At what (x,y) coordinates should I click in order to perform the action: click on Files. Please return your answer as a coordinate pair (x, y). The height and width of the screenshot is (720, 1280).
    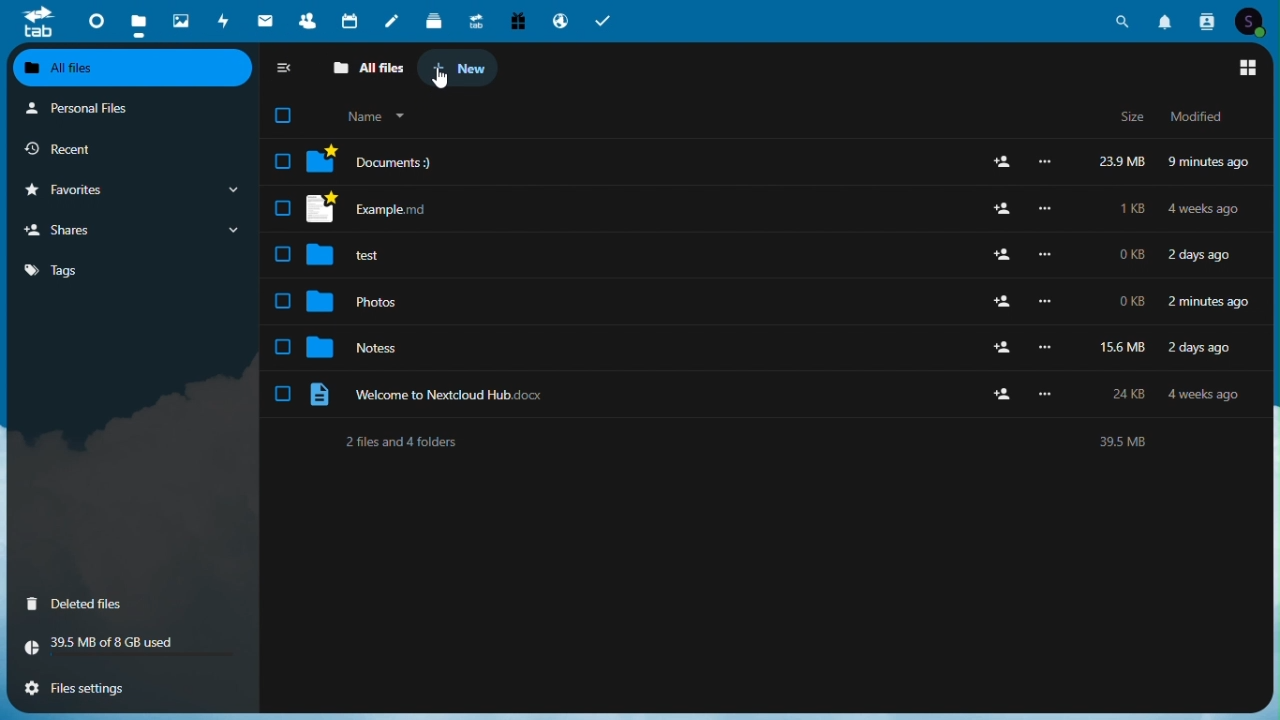
    Looking at the image, I should click on (784, 209).